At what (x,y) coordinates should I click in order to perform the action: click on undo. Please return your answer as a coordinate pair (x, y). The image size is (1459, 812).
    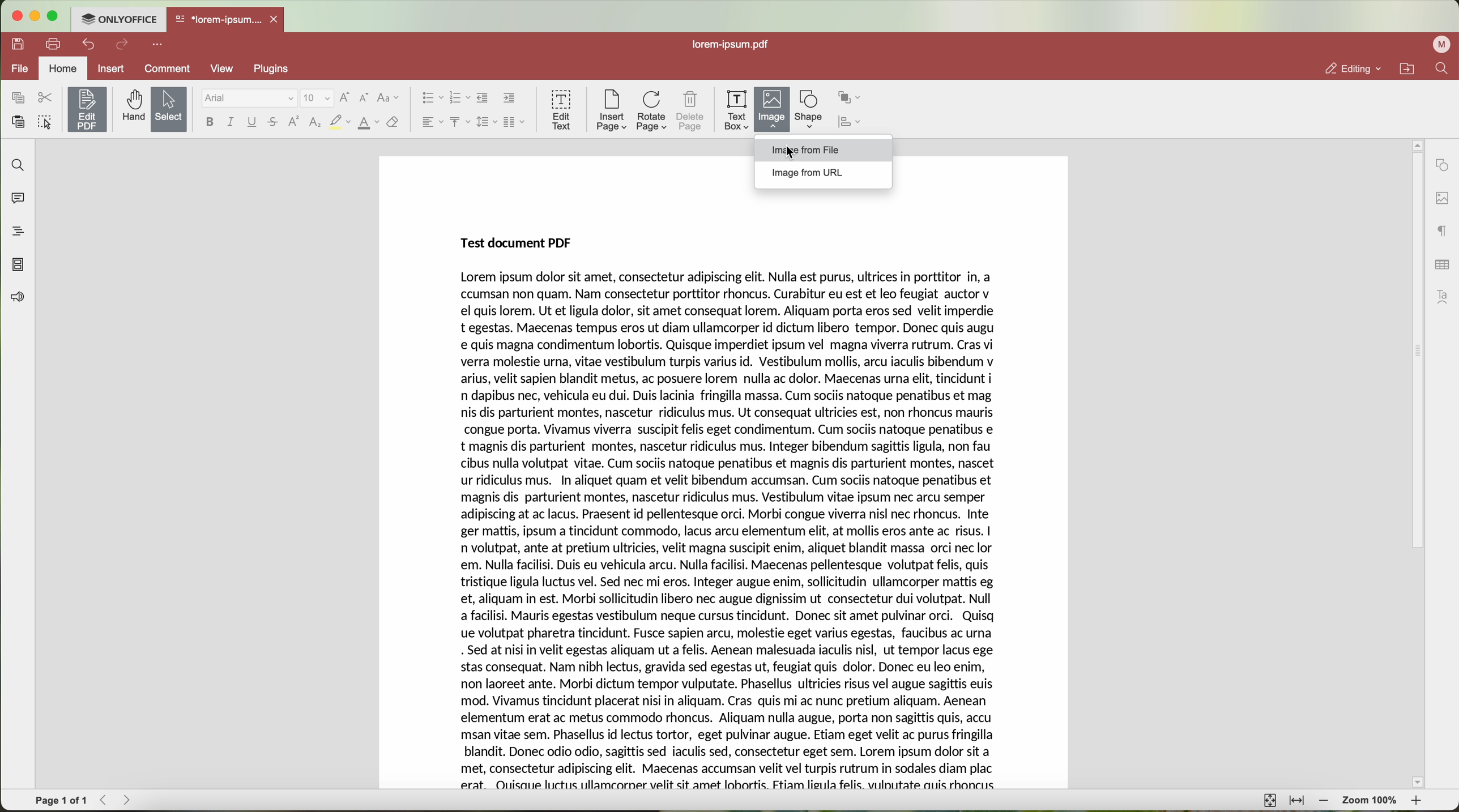
    Looking at the image, I should click on (90, 44).